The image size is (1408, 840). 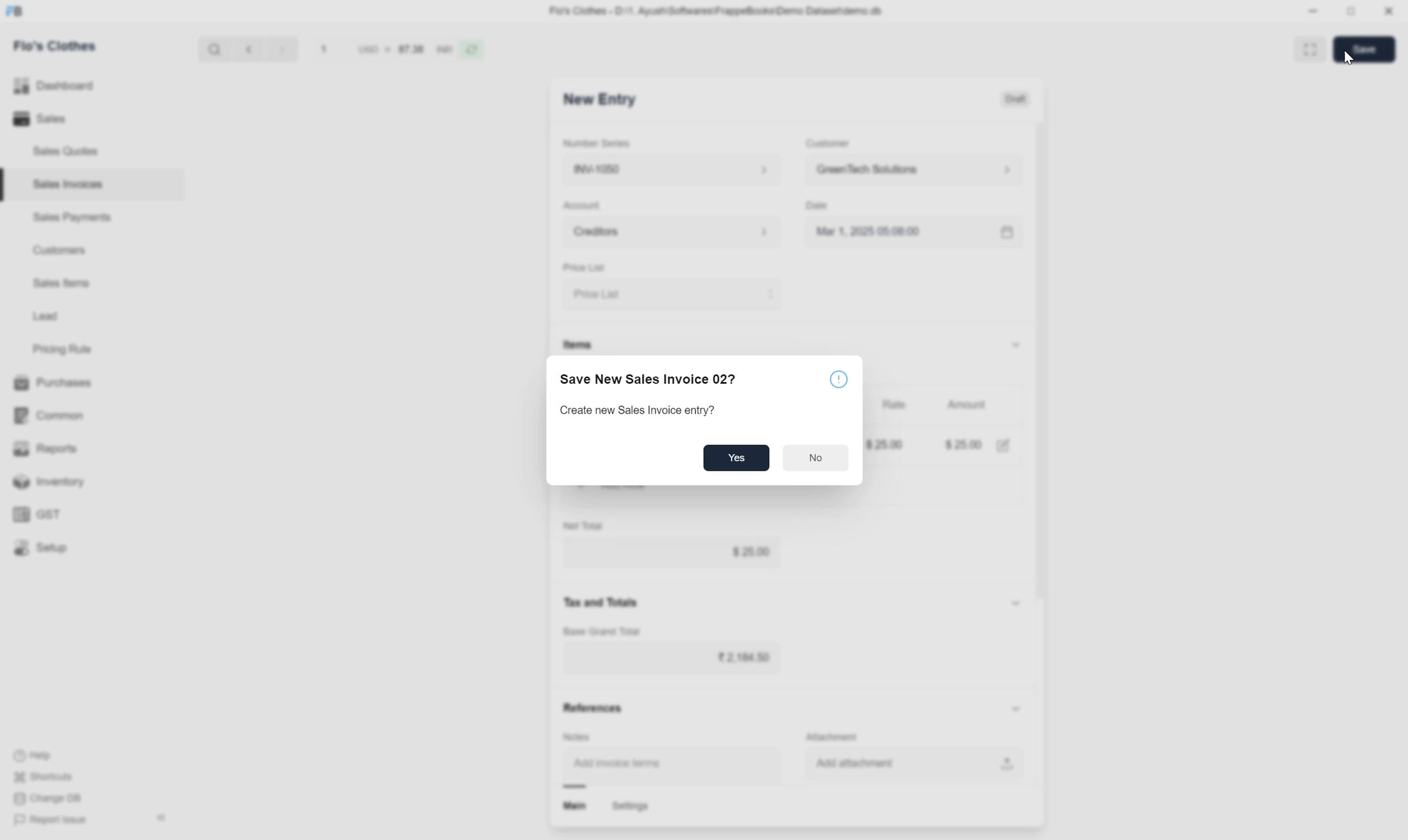 I want to click on Reports , so click(x=76, y=447).